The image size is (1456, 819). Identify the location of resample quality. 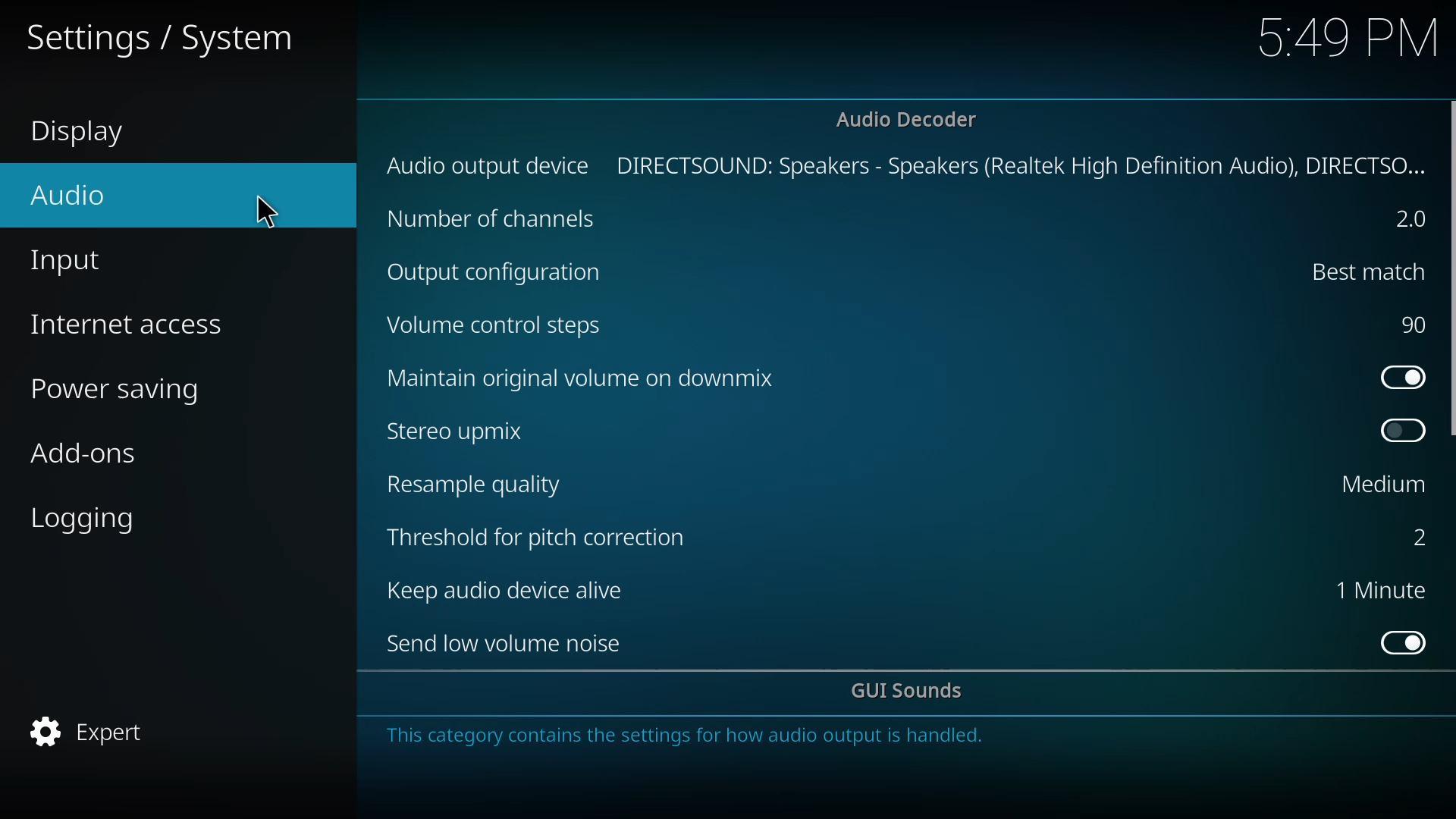
(487, 484).